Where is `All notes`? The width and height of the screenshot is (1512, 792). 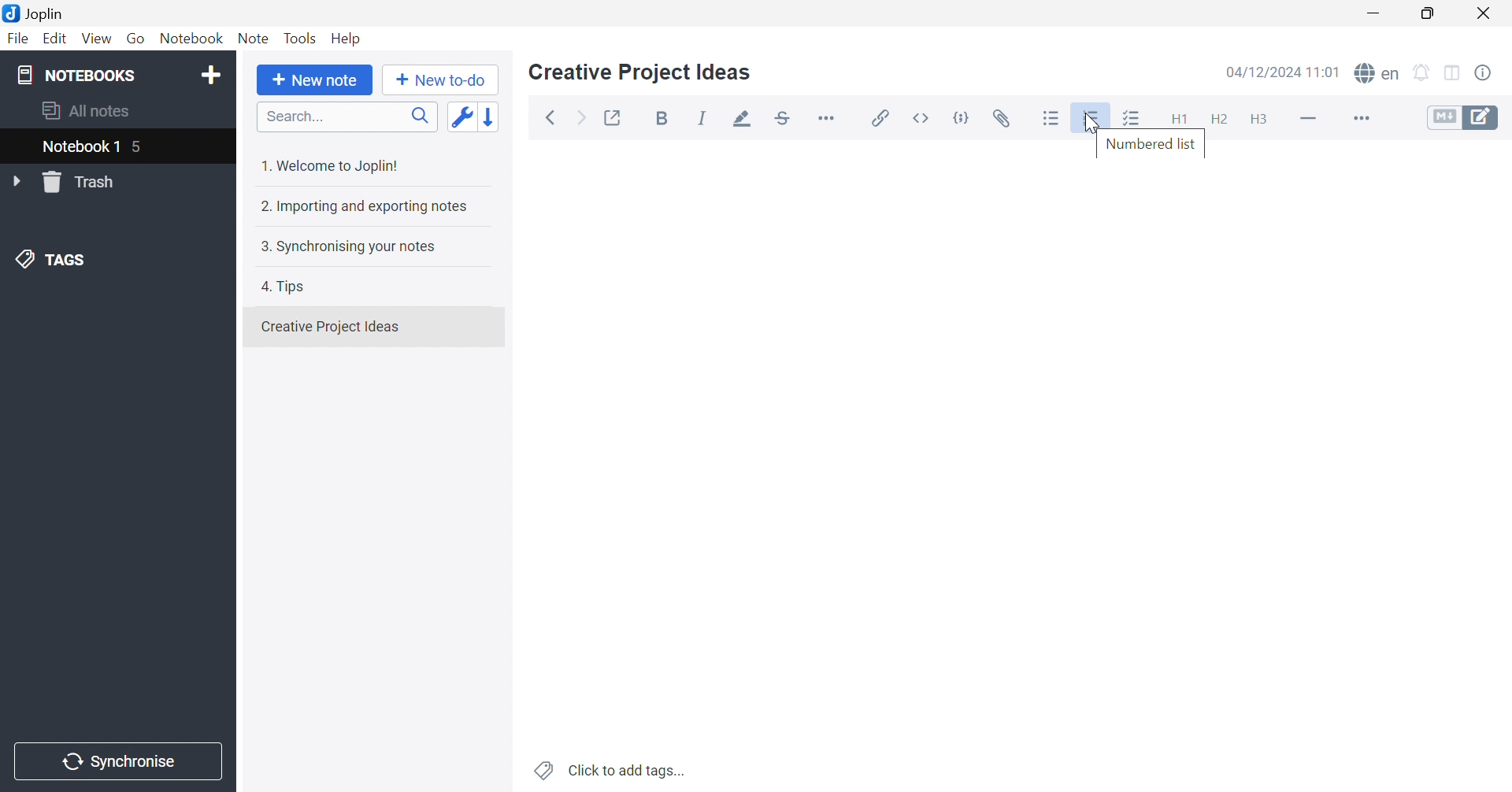 All notes is located at coordinates (83, 110).